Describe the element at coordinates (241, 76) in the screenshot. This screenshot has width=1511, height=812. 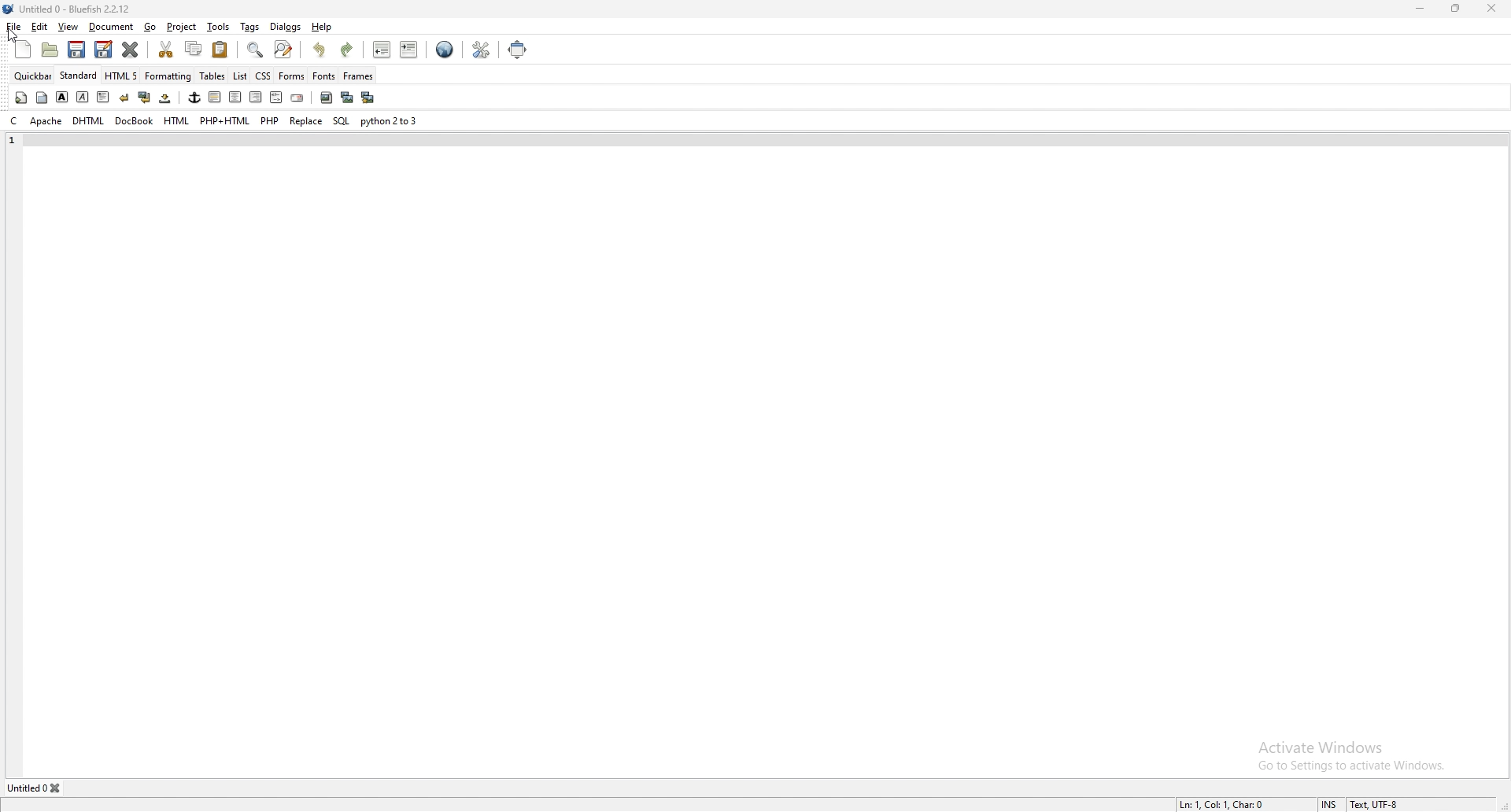
I see `list` at that location.